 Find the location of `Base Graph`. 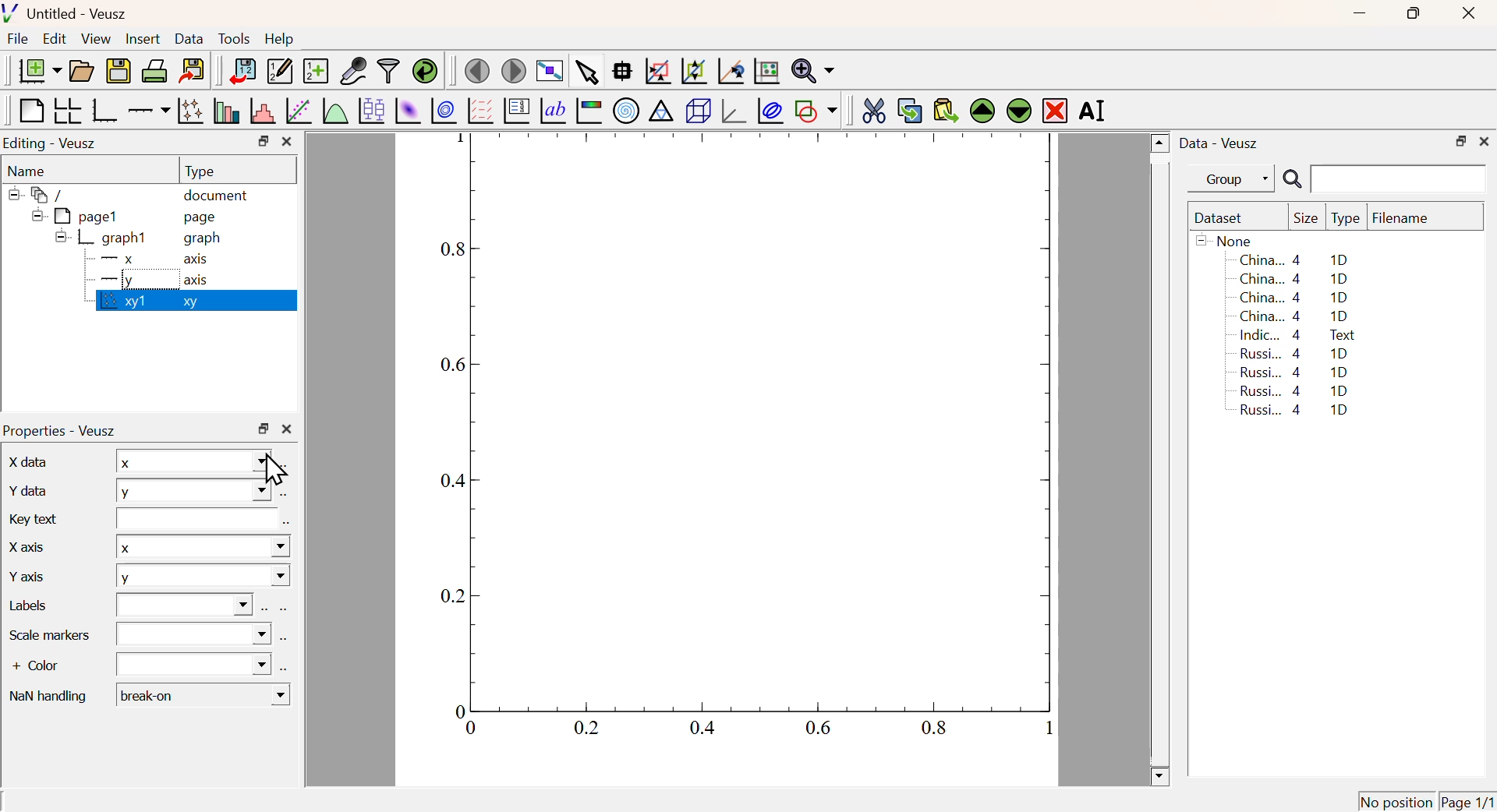

Base Graph is located at coordinates (103, 110).